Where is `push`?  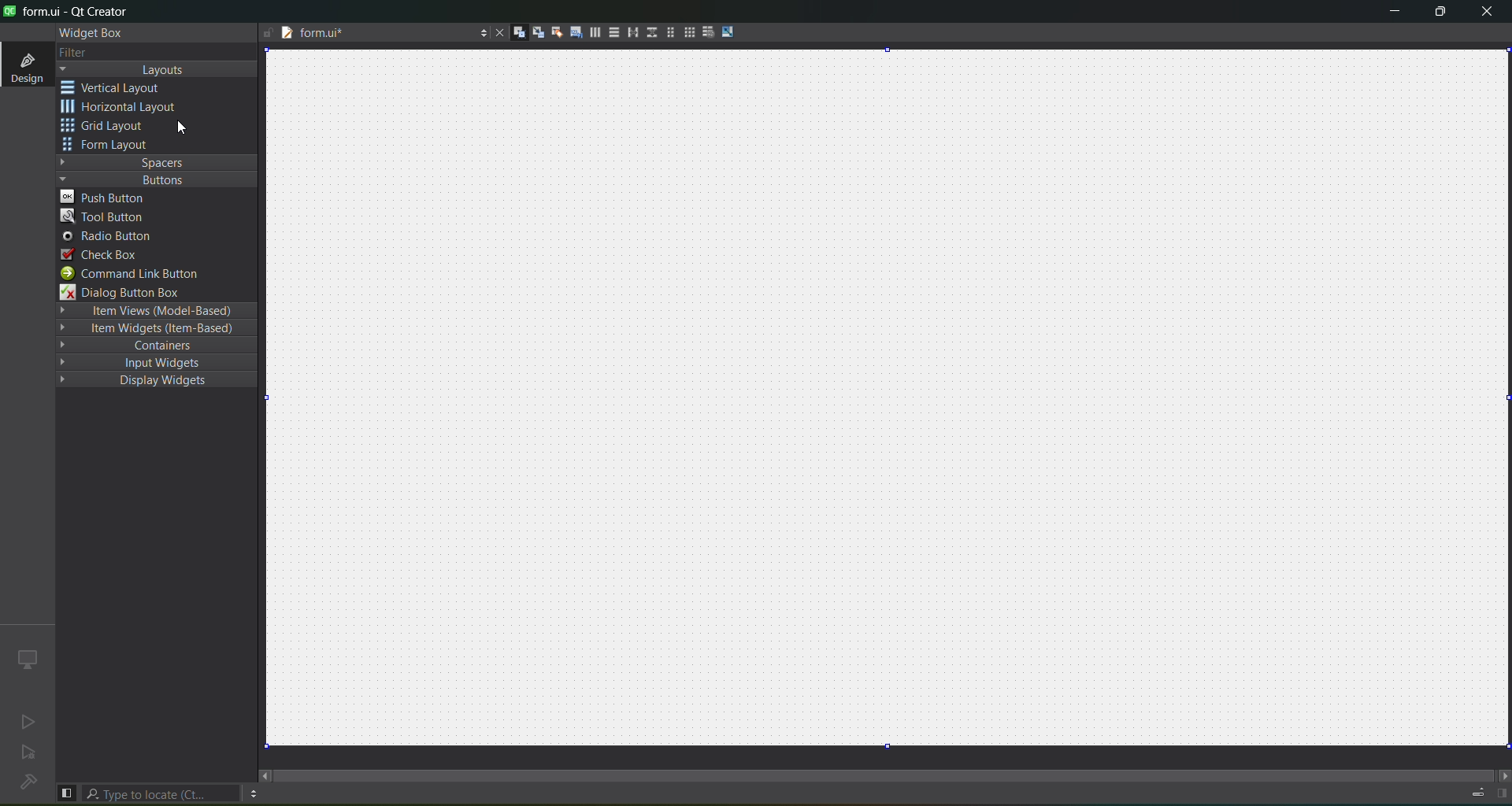 push is located at coordinates (108, 197).